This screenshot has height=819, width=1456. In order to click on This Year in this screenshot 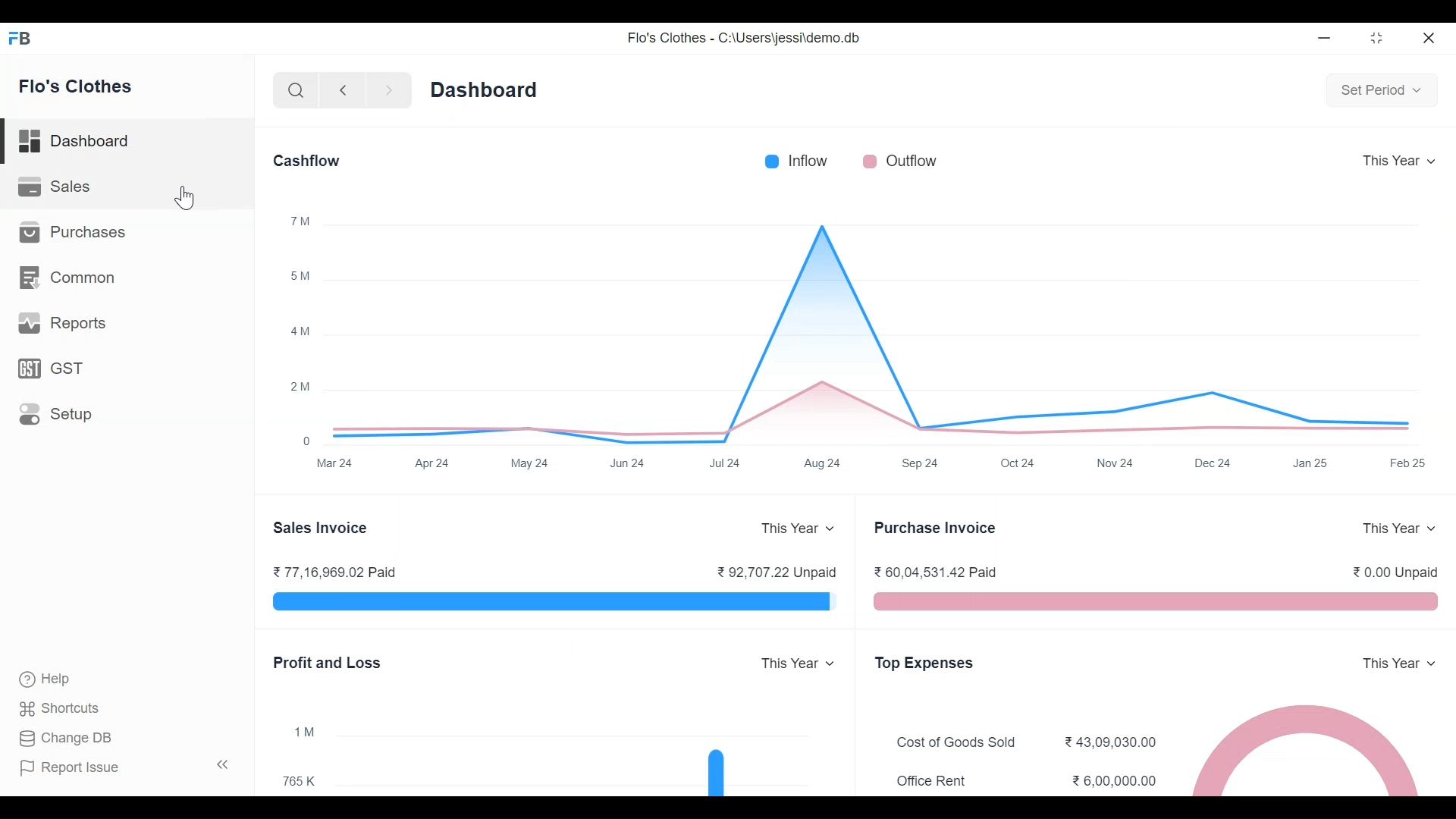, I will do `click(789, 664)`.